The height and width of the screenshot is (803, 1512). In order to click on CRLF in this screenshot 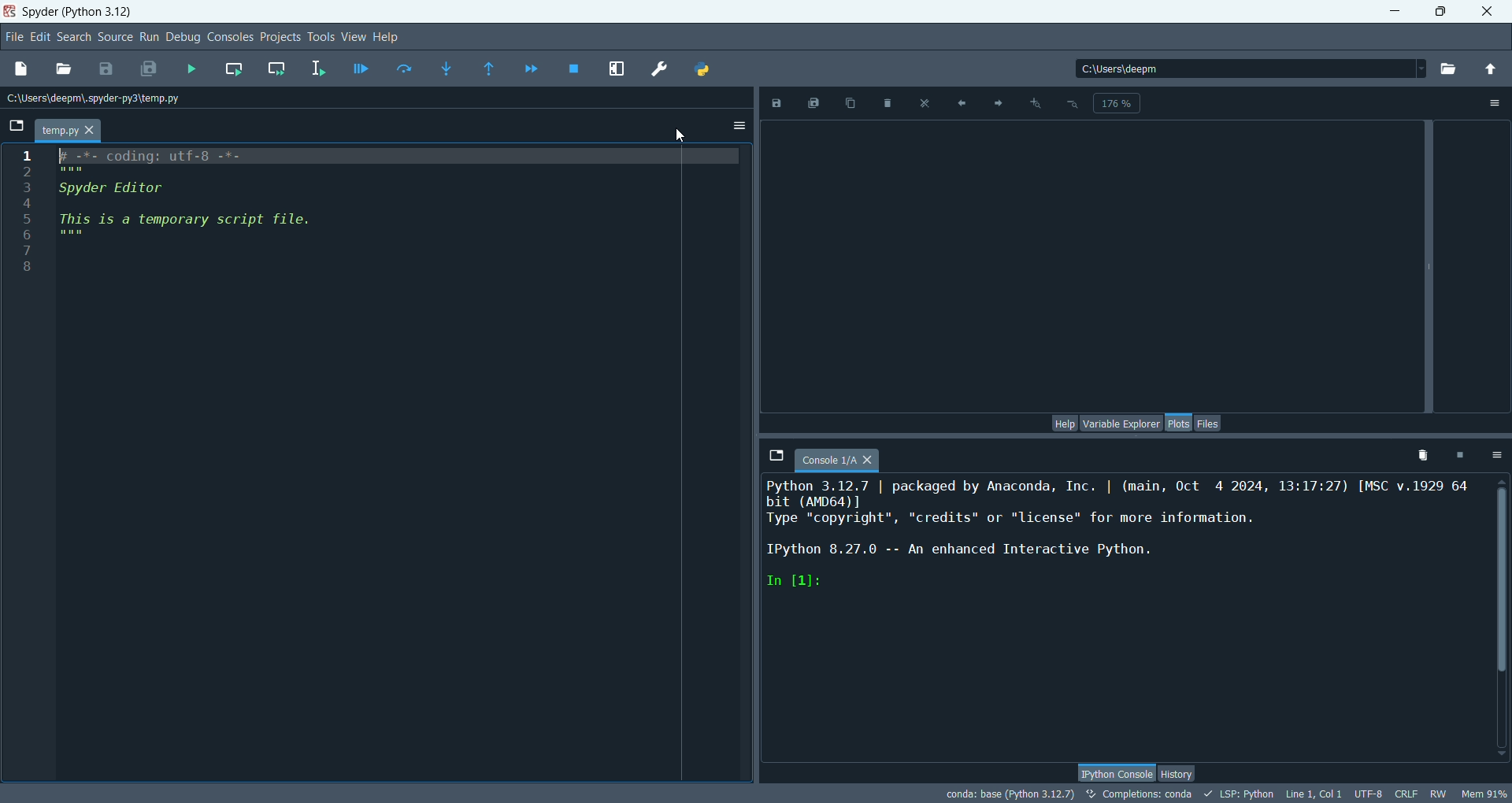, I will do `click(1409, 794)`.